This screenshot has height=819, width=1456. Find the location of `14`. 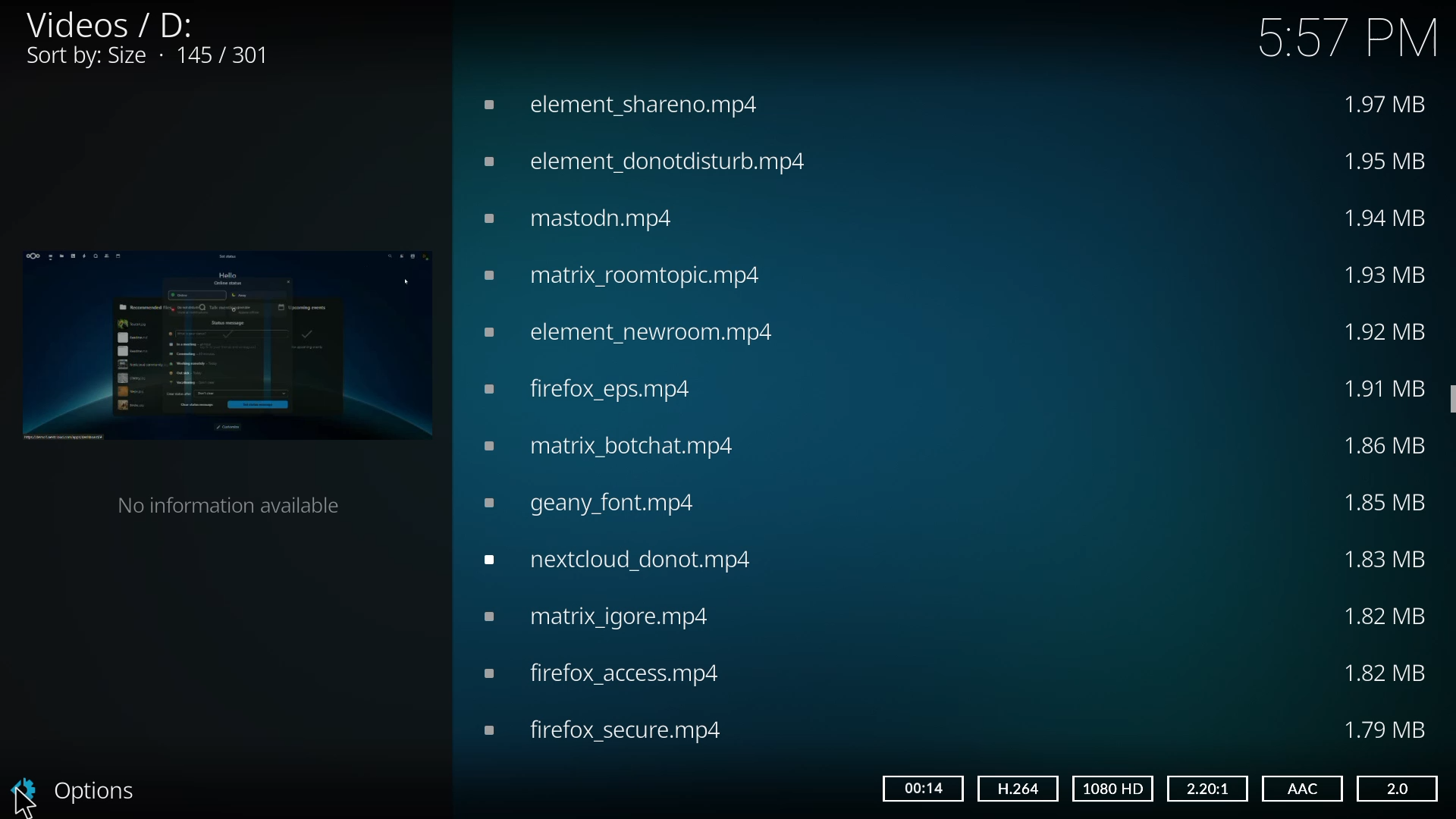

14 is located at coordinates (921, 787).